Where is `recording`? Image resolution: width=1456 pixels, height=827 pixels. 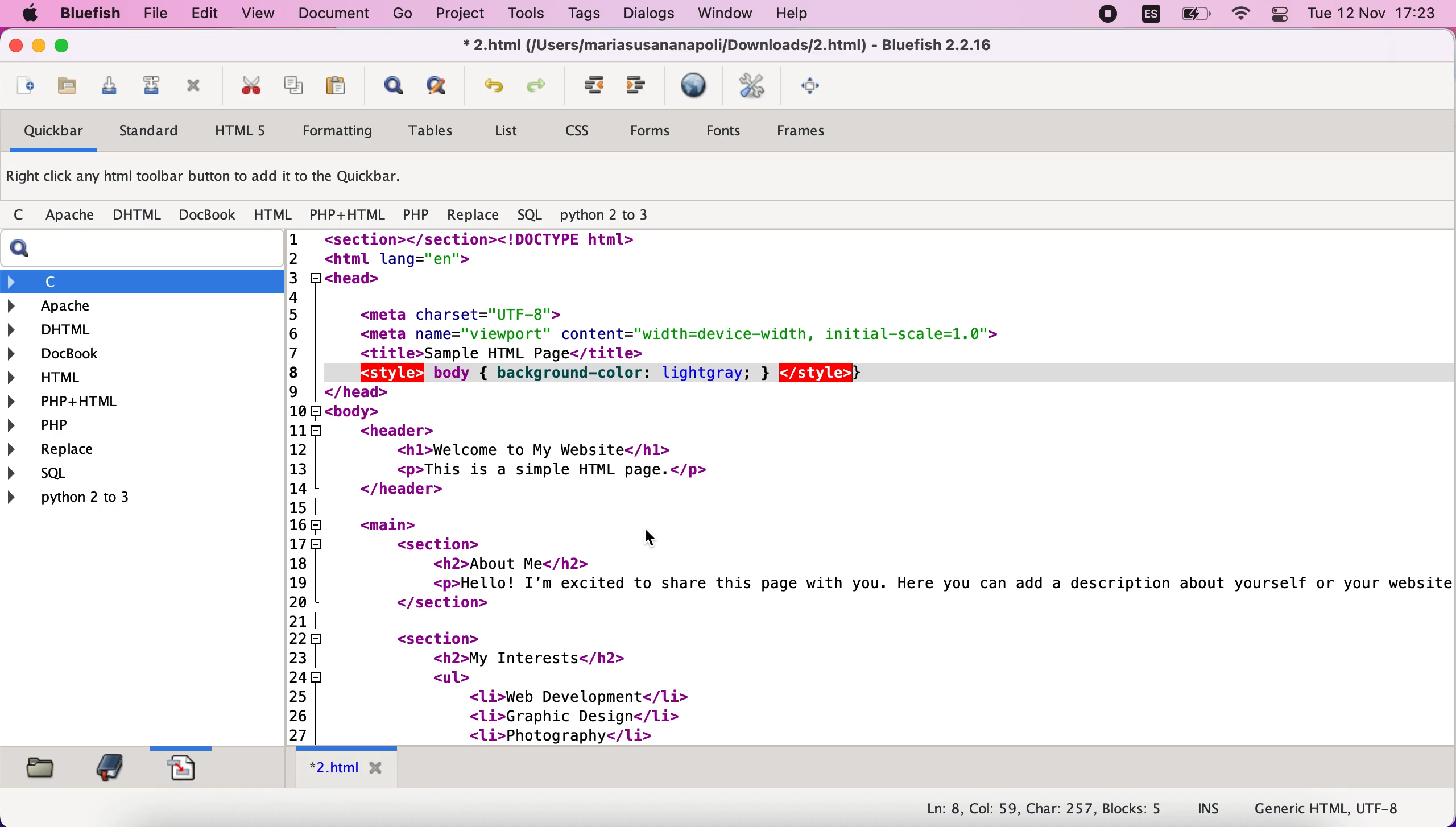 recording is located at coordinates (1107, 16).